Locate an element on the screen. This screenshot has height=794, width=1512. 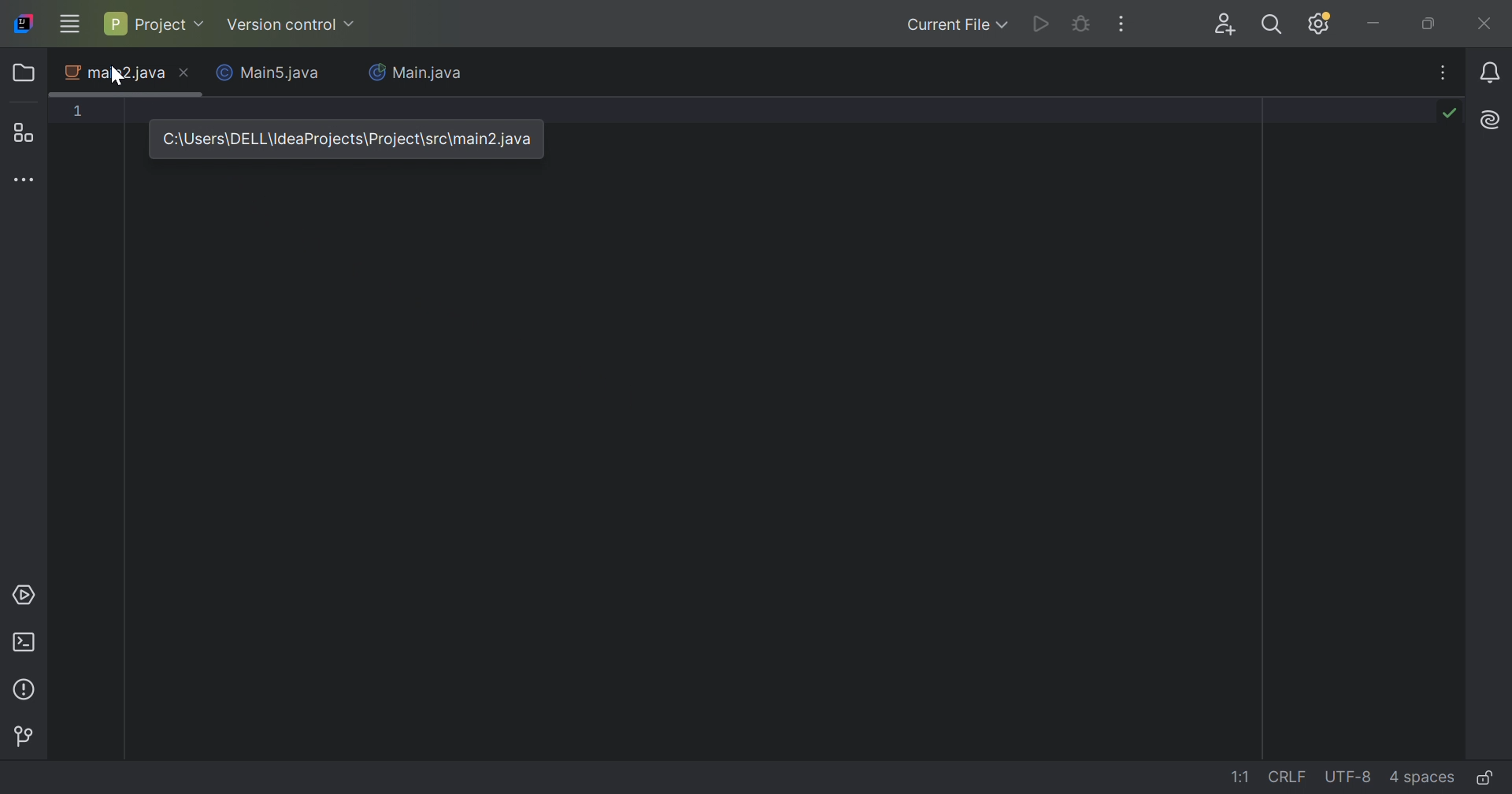
Cursor is located at coordinates (117, 80).